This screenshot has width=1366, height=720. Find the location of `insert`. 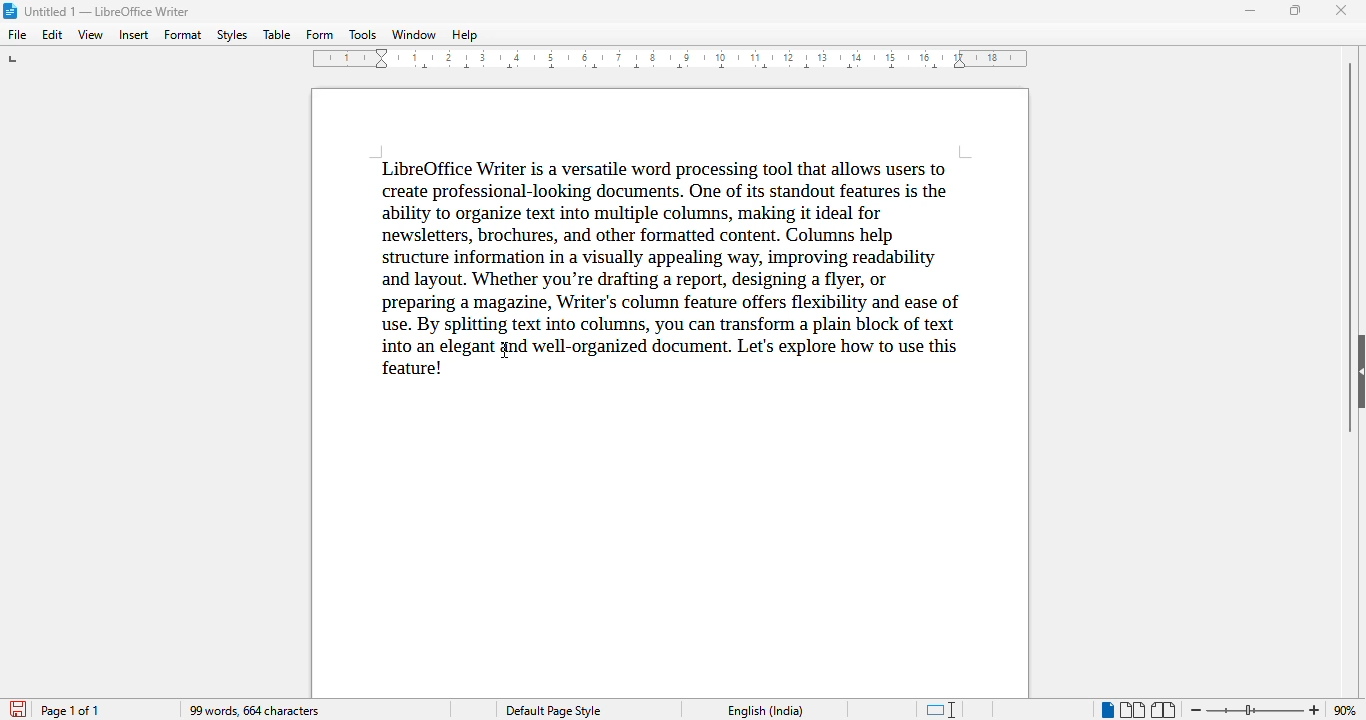

insert is located at coordinates (133, 35).